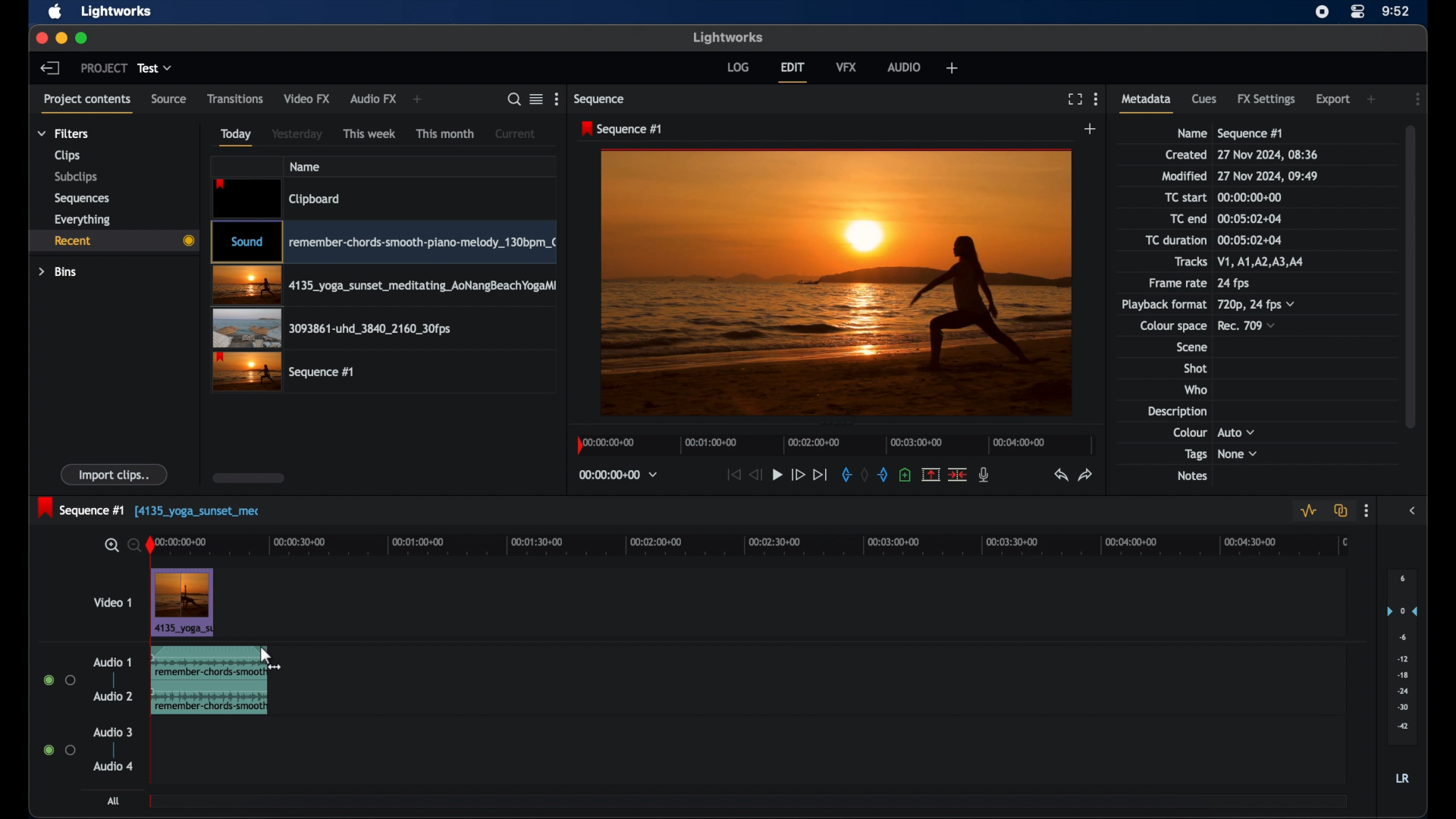 The image size is (1456, 819). Describe the element at coordinates (446, 134) in the screenshot. I see `this month` at that location.